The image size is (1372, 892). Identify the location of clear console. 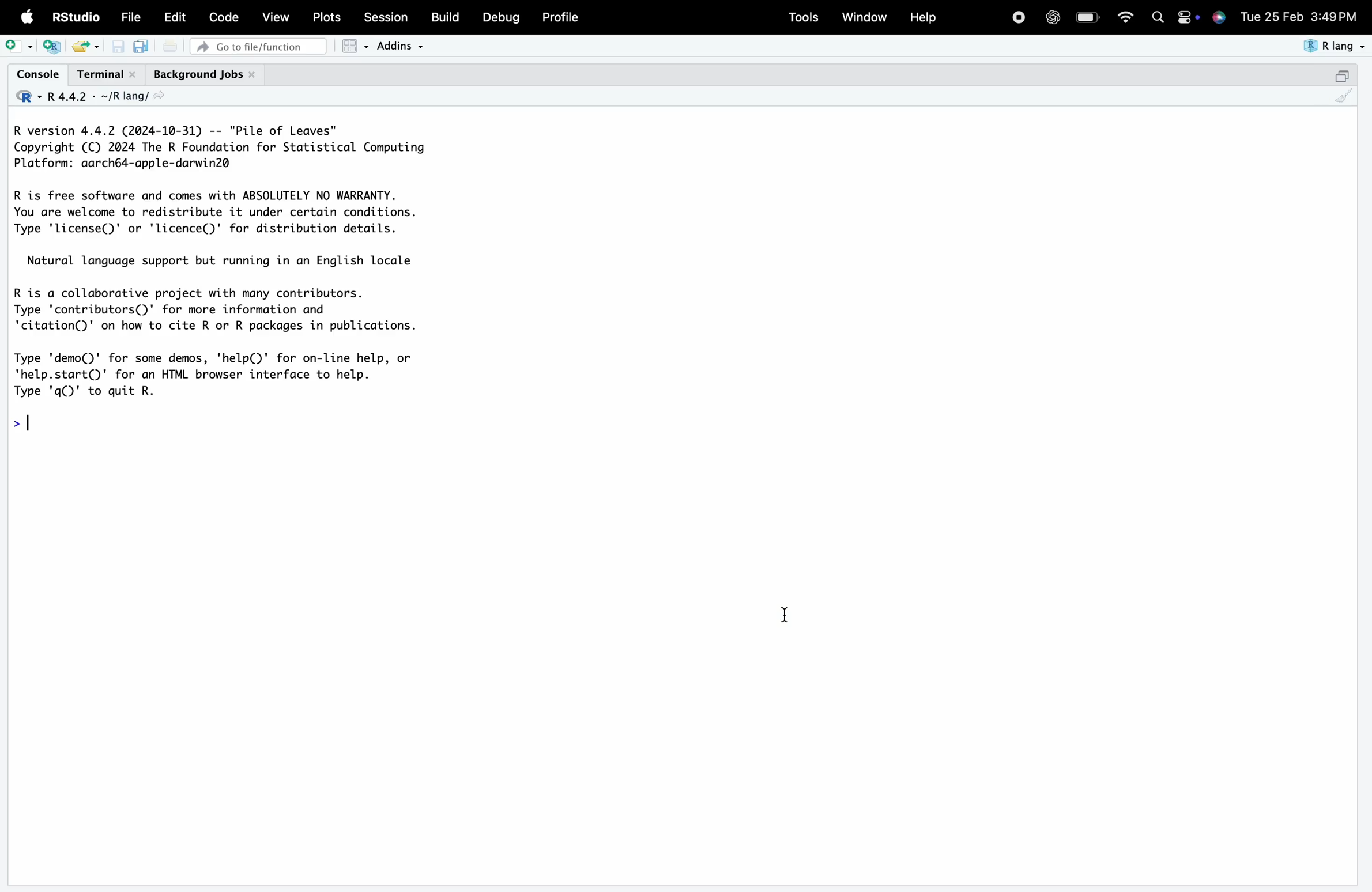
(1344, 96).